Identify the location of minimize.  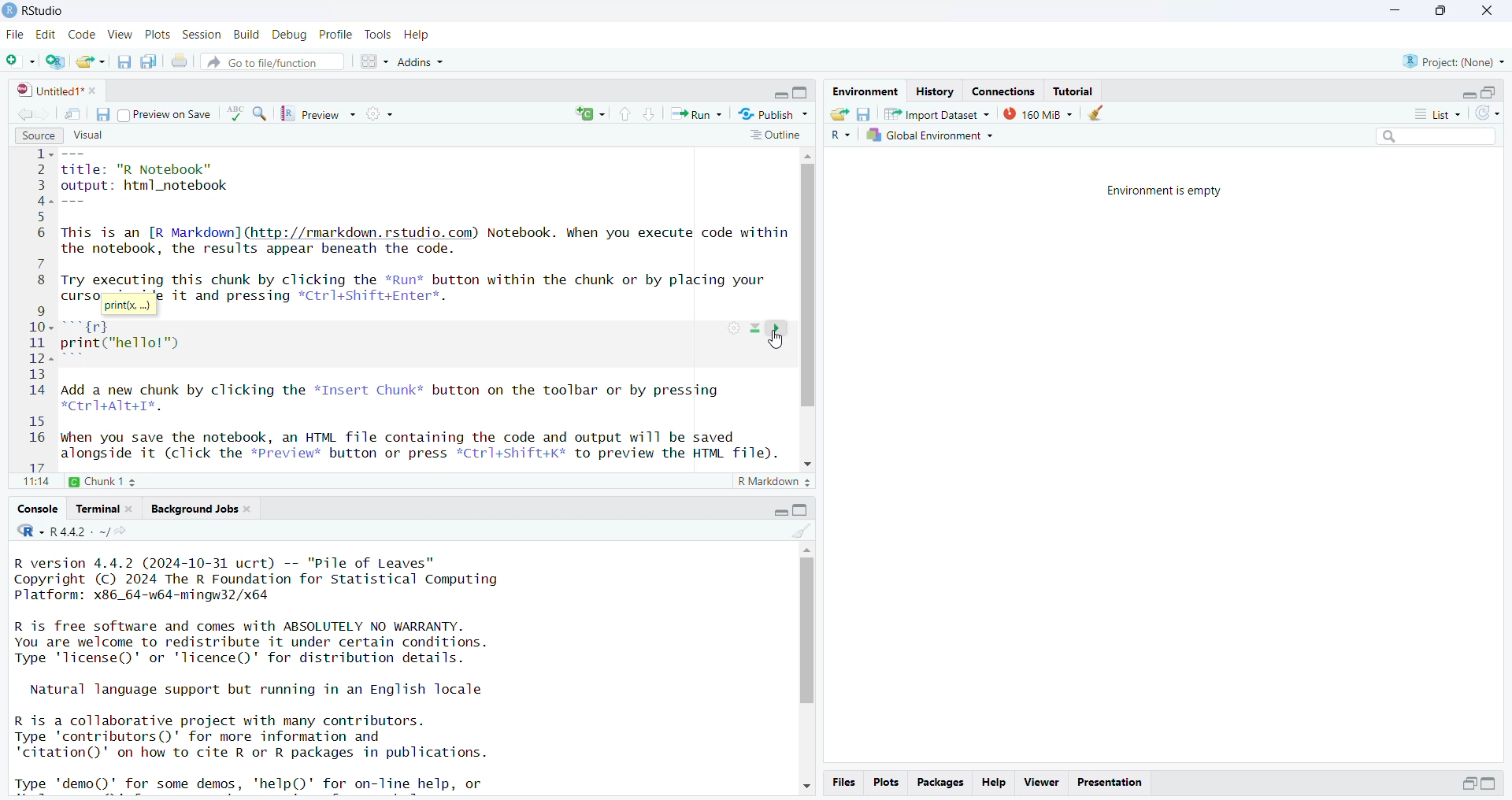
(1395, 12).